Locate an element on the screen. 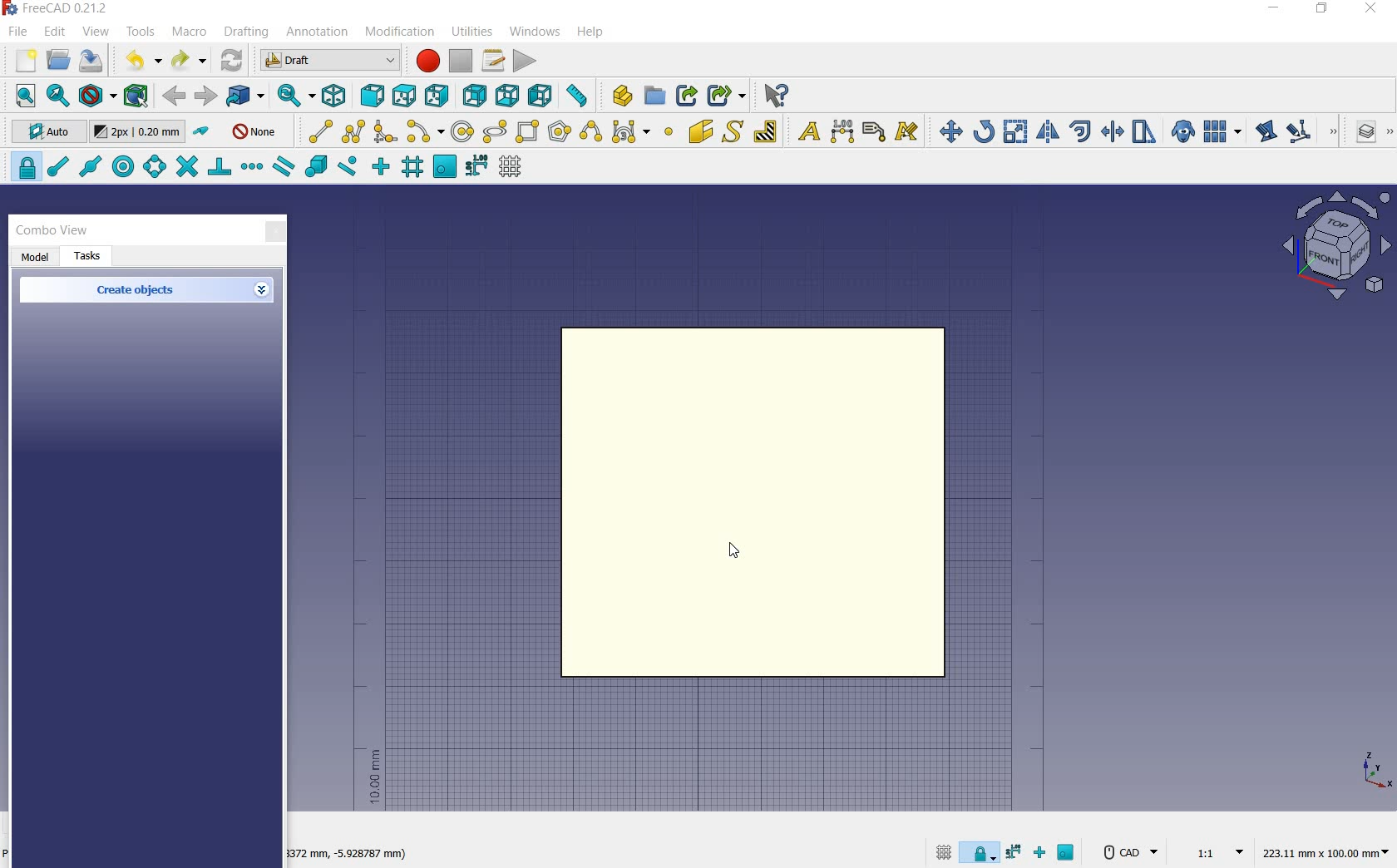  snap extension is located at coordinates (251, 167).